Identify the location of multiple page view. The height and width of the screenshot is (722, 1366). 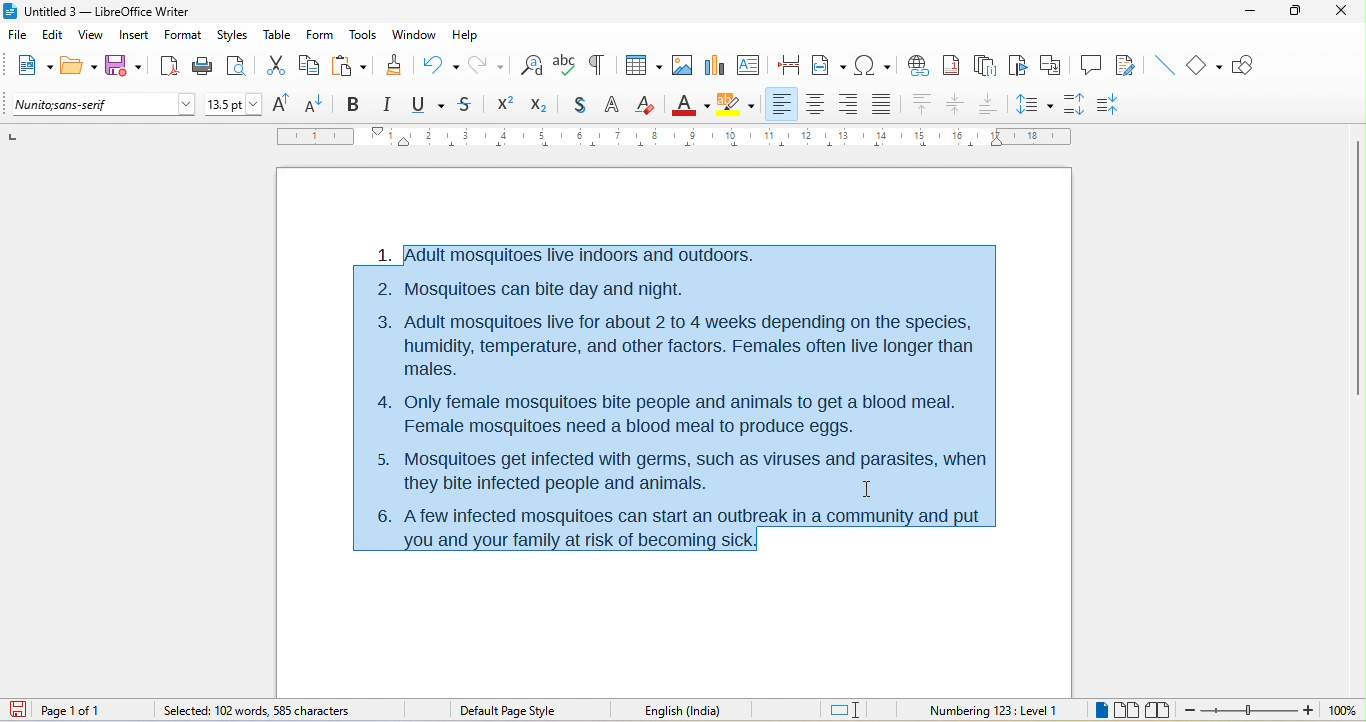
(1131, 711).